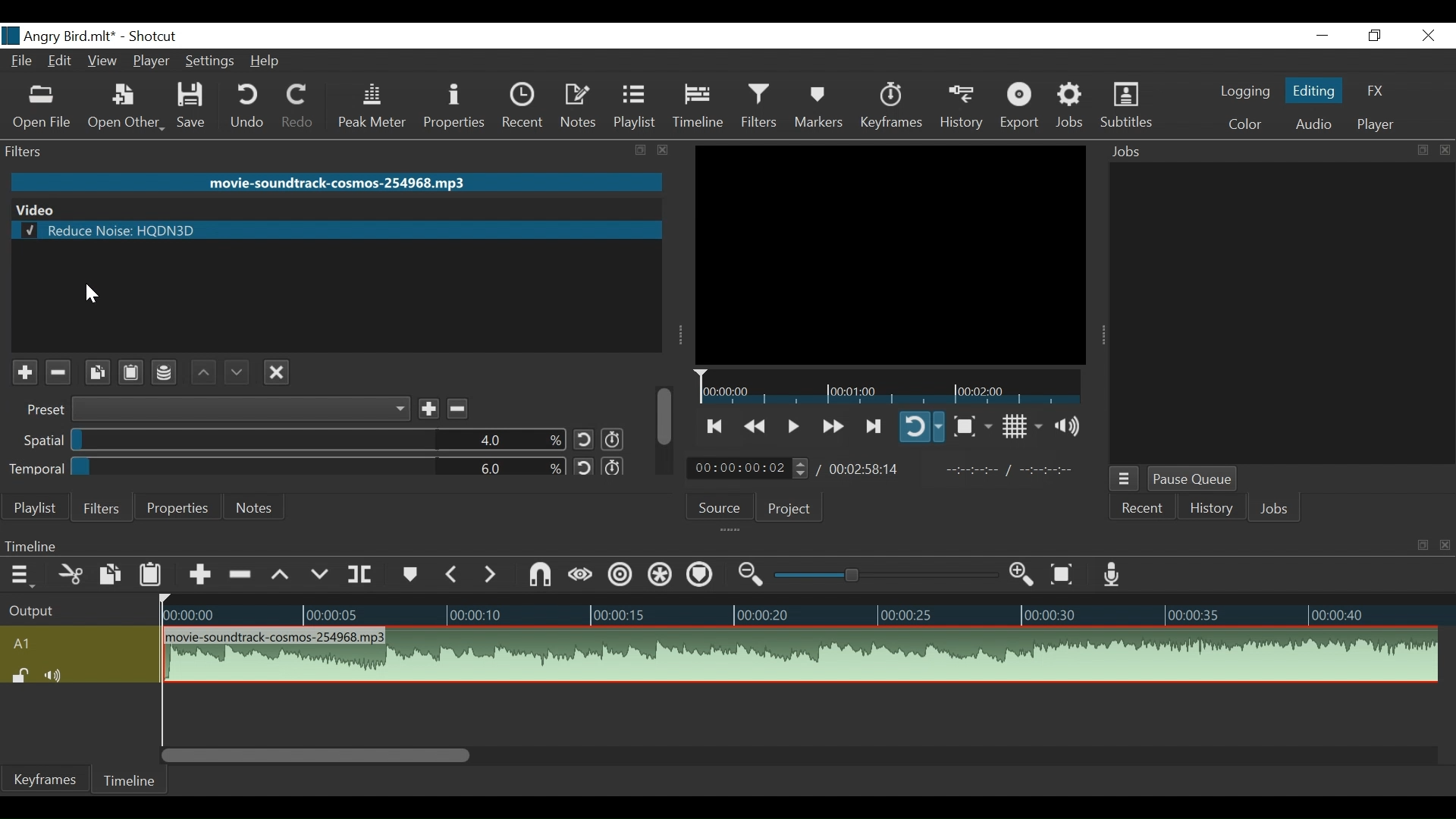  What do you see at coordinates (634, 106) in the screenshot?
I see `Playlist` at bounding box center [634, 106].